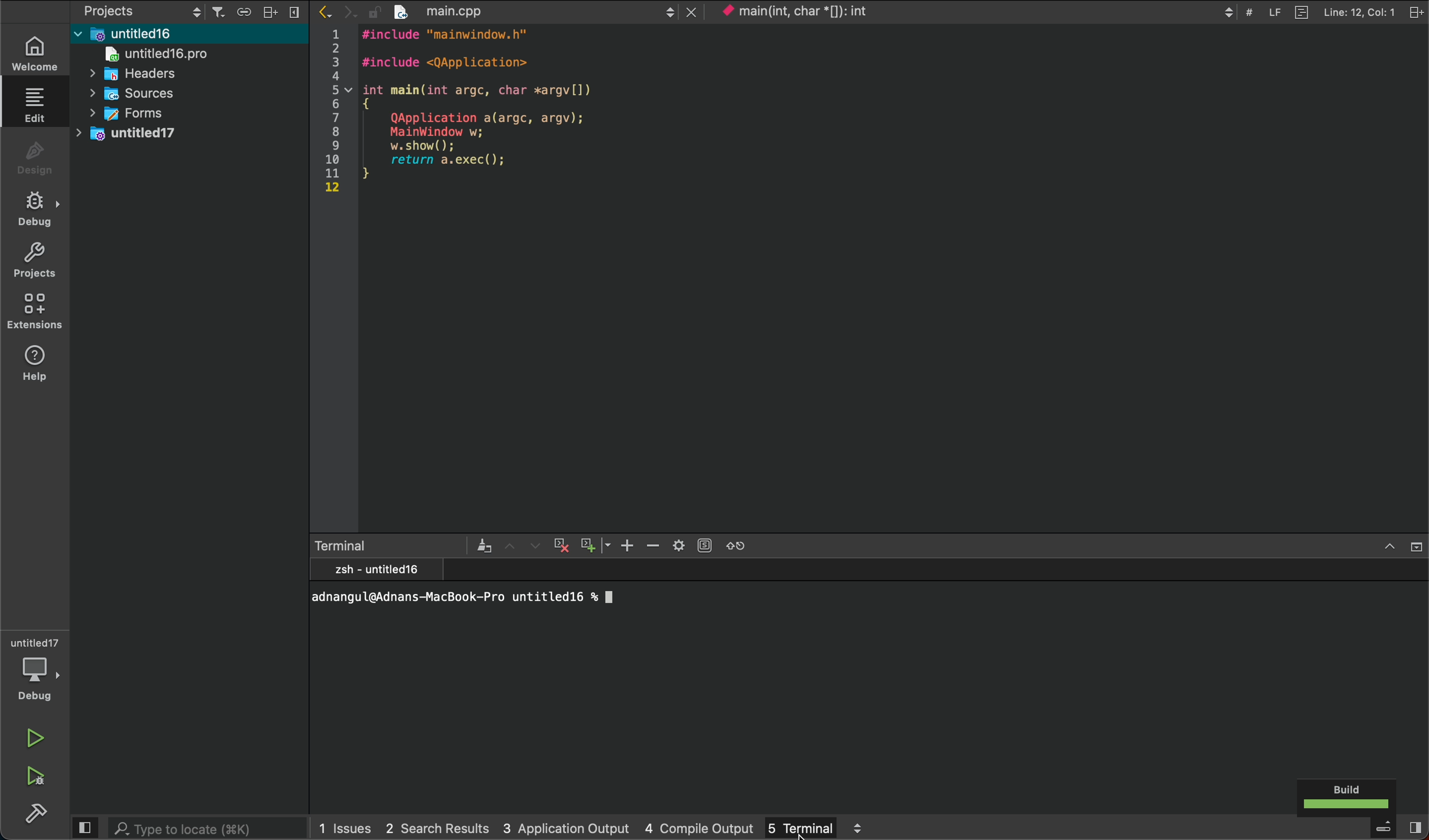 The width and height of the screenshot is (1429, 840). What do you see at coordinates (346, 827) in the screenshot?
I see `Issues` at bounding box center [346, 827].